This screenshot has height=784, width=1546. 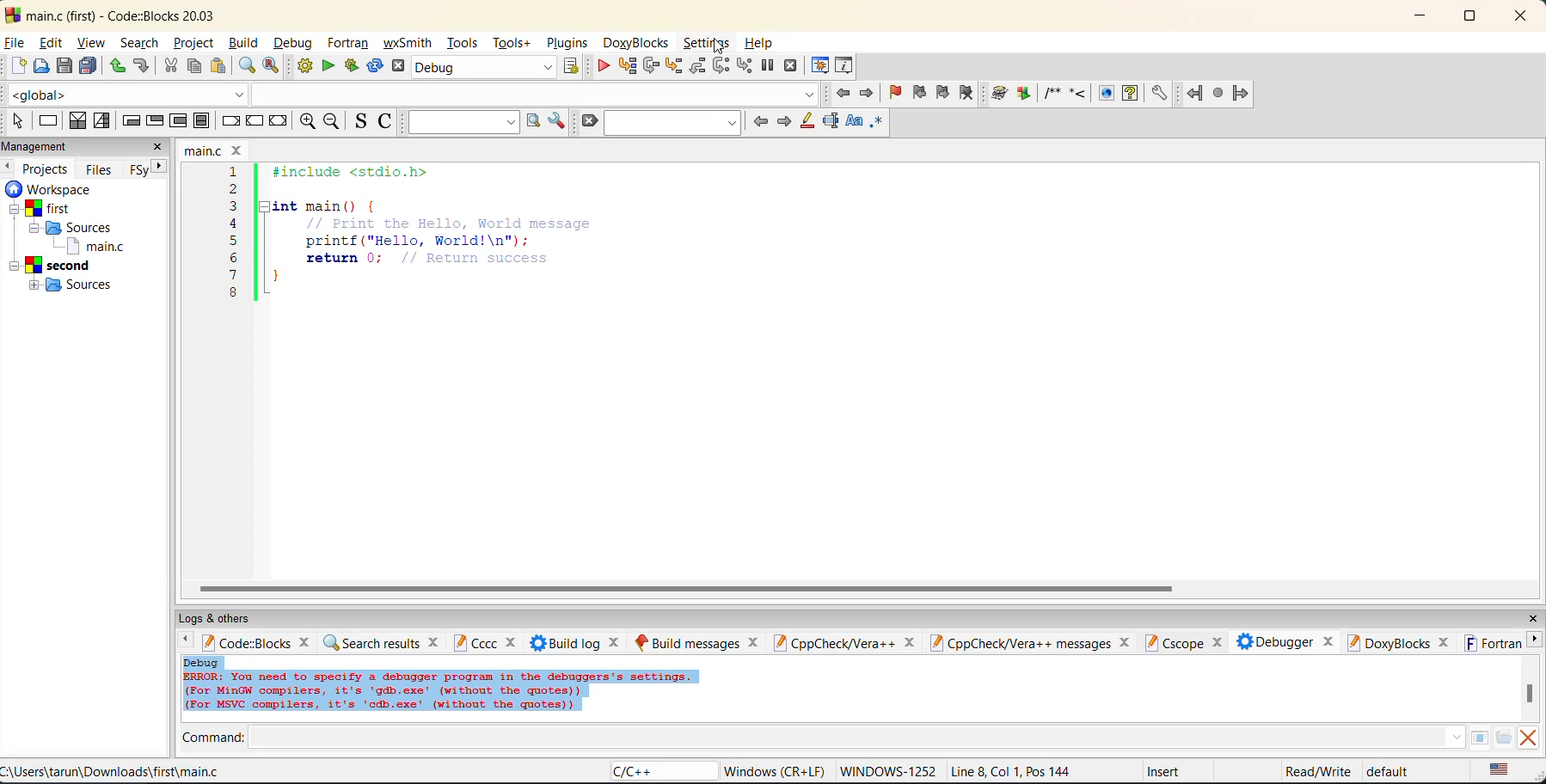 I want to click on run html help documentation, so click(x=1134, y=95).